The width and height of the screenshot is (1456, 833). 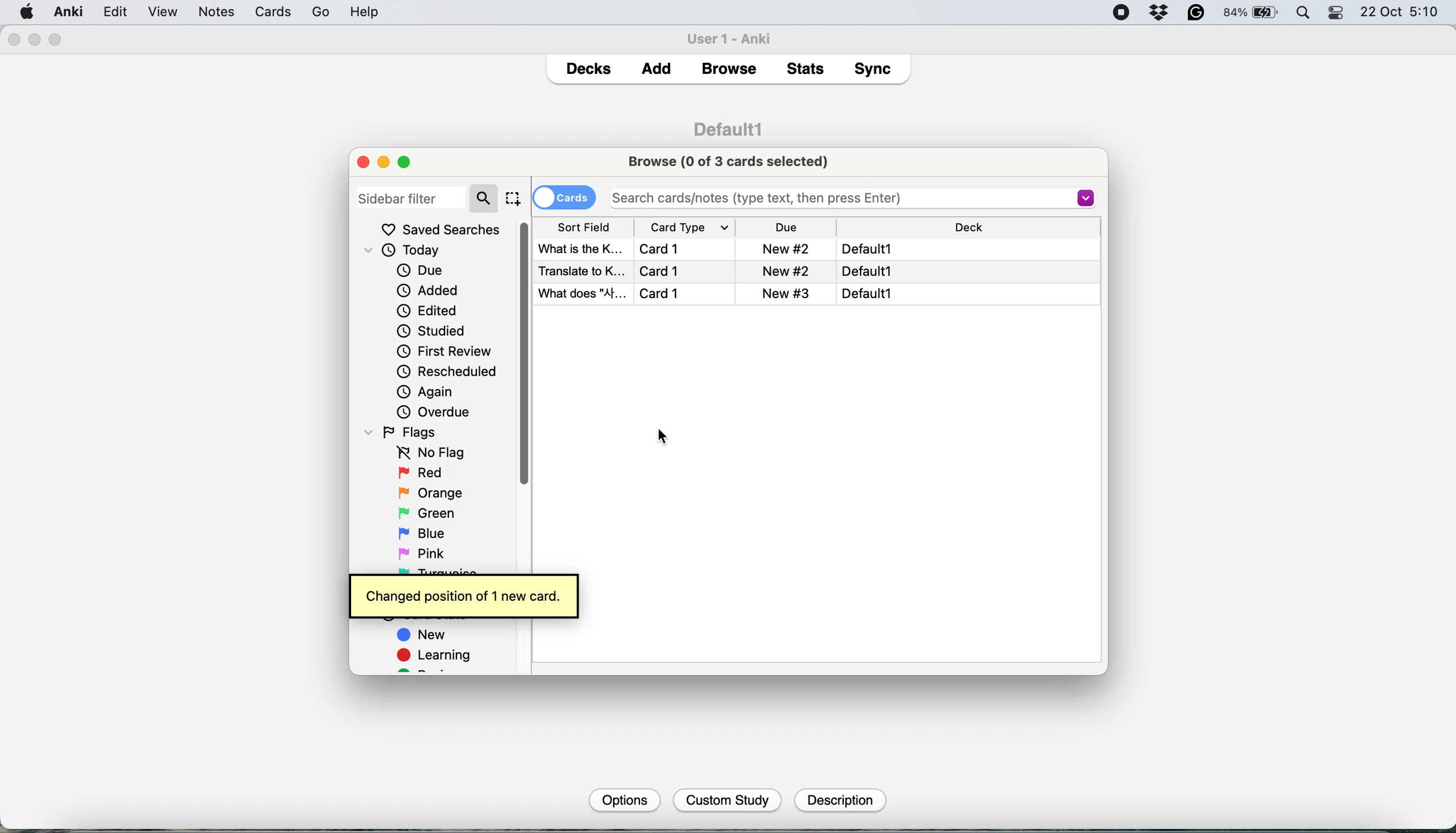 I want to click on minimise, so click(x=383, y=162).